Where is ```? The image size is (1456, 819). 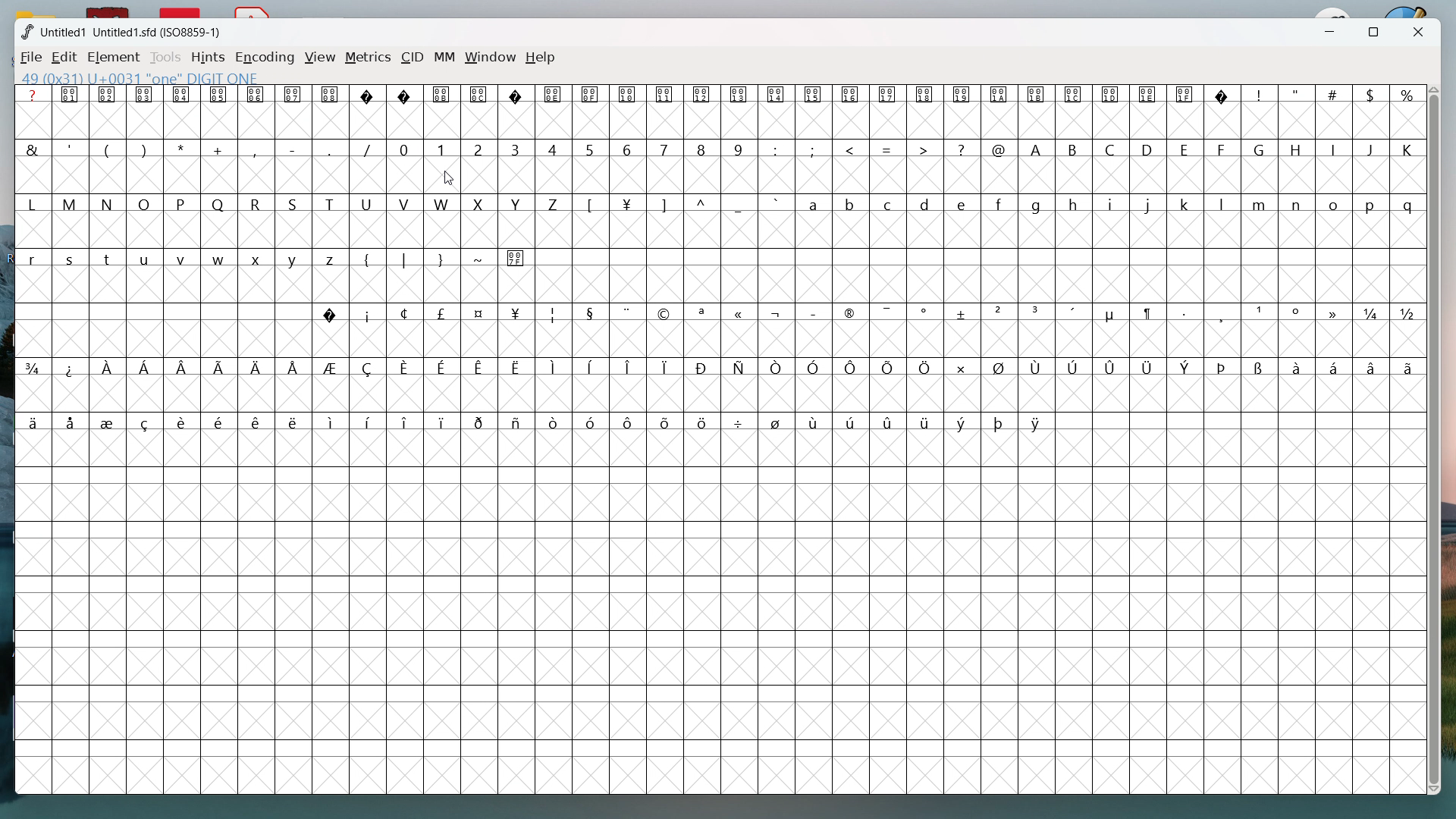
` is located at coordinates (780, 203).